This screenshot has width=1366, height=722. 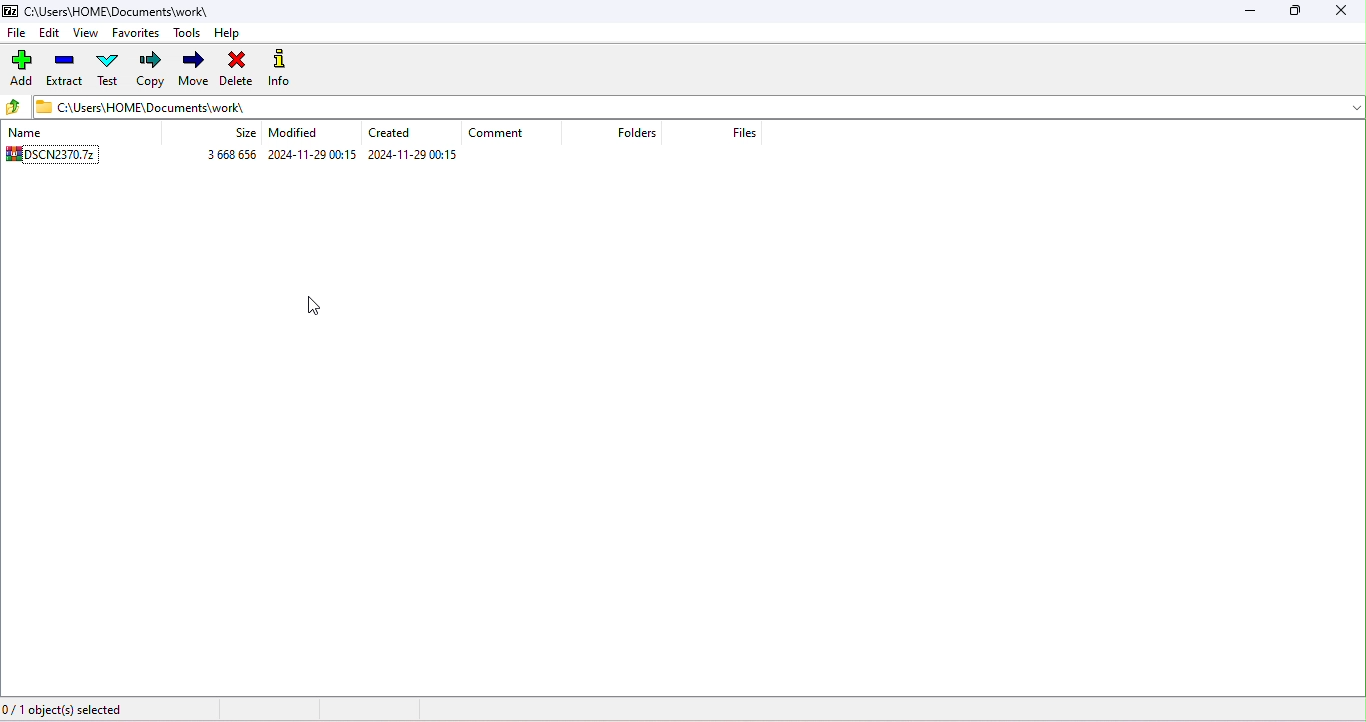 What do you see at coordinates (65, 72) in the screenshot?
I see `extract` at bounding box center [65, 72].